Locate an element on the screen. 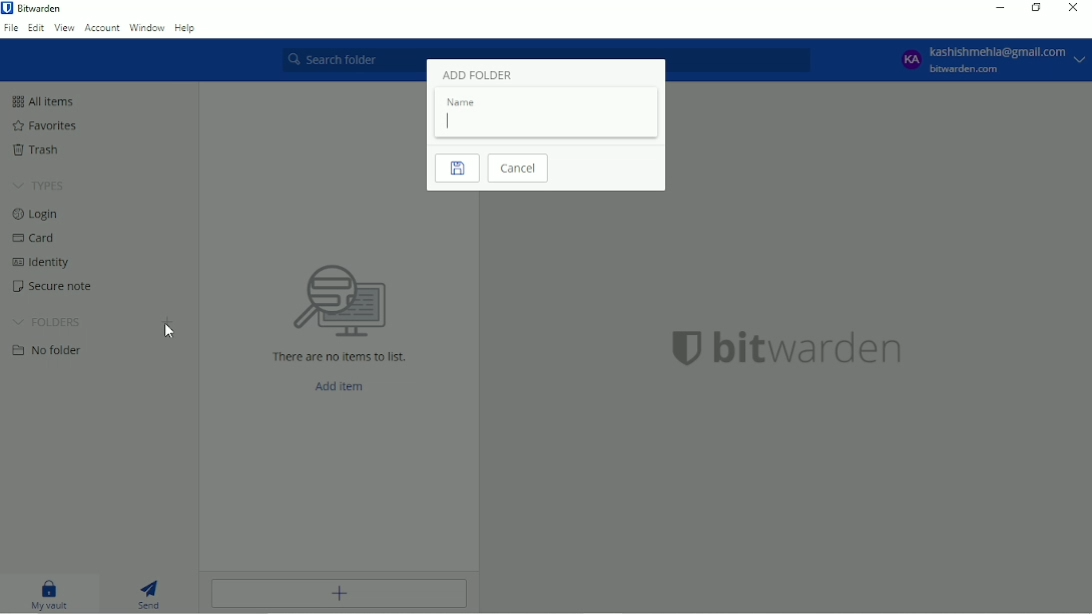 The height and width of the screenshot is (614, 1092). Login is located at coordinates (40, 215).